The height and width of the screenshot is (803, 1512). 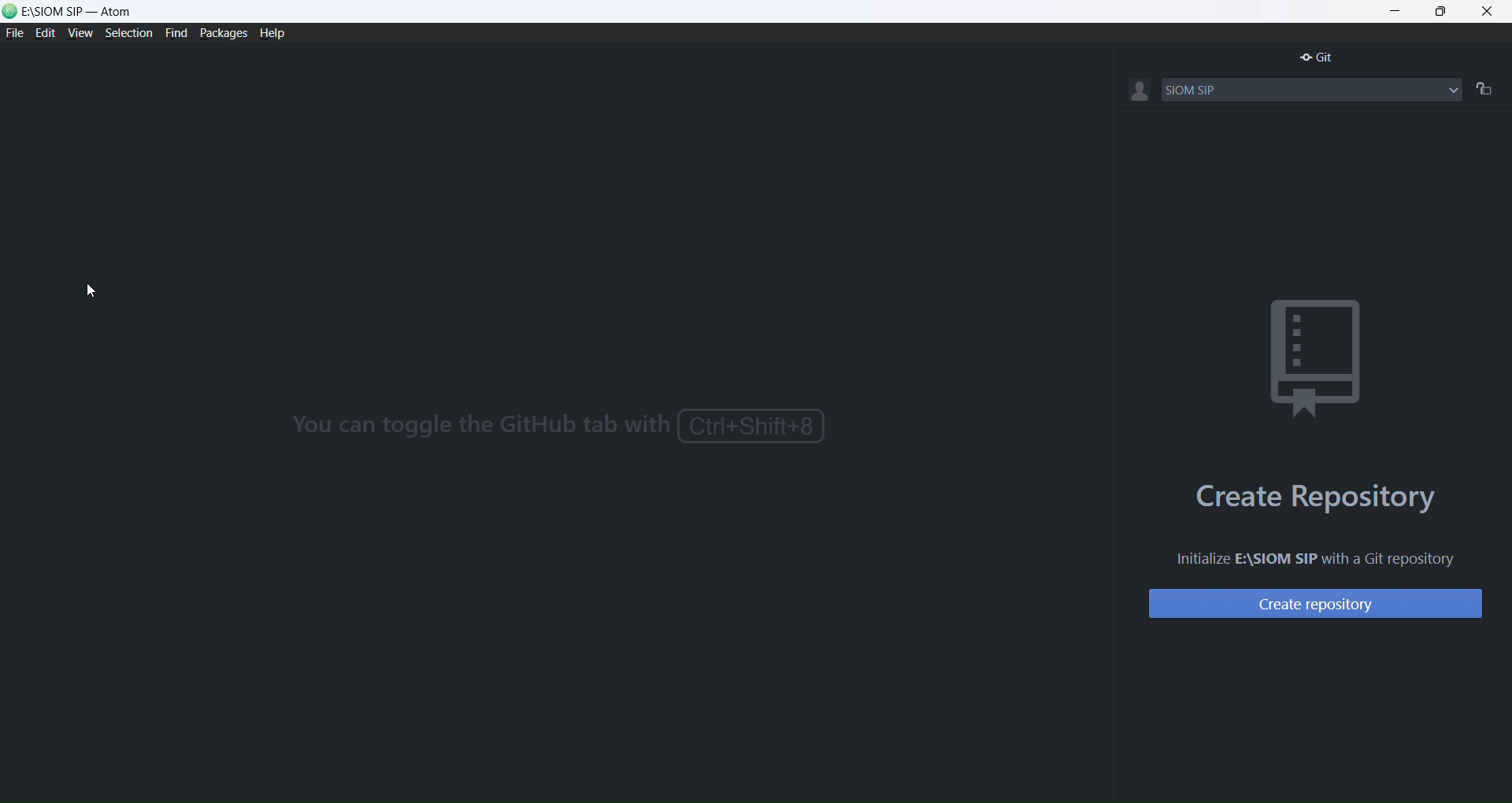 I want to click on cursor, so click(x=94, y=293).